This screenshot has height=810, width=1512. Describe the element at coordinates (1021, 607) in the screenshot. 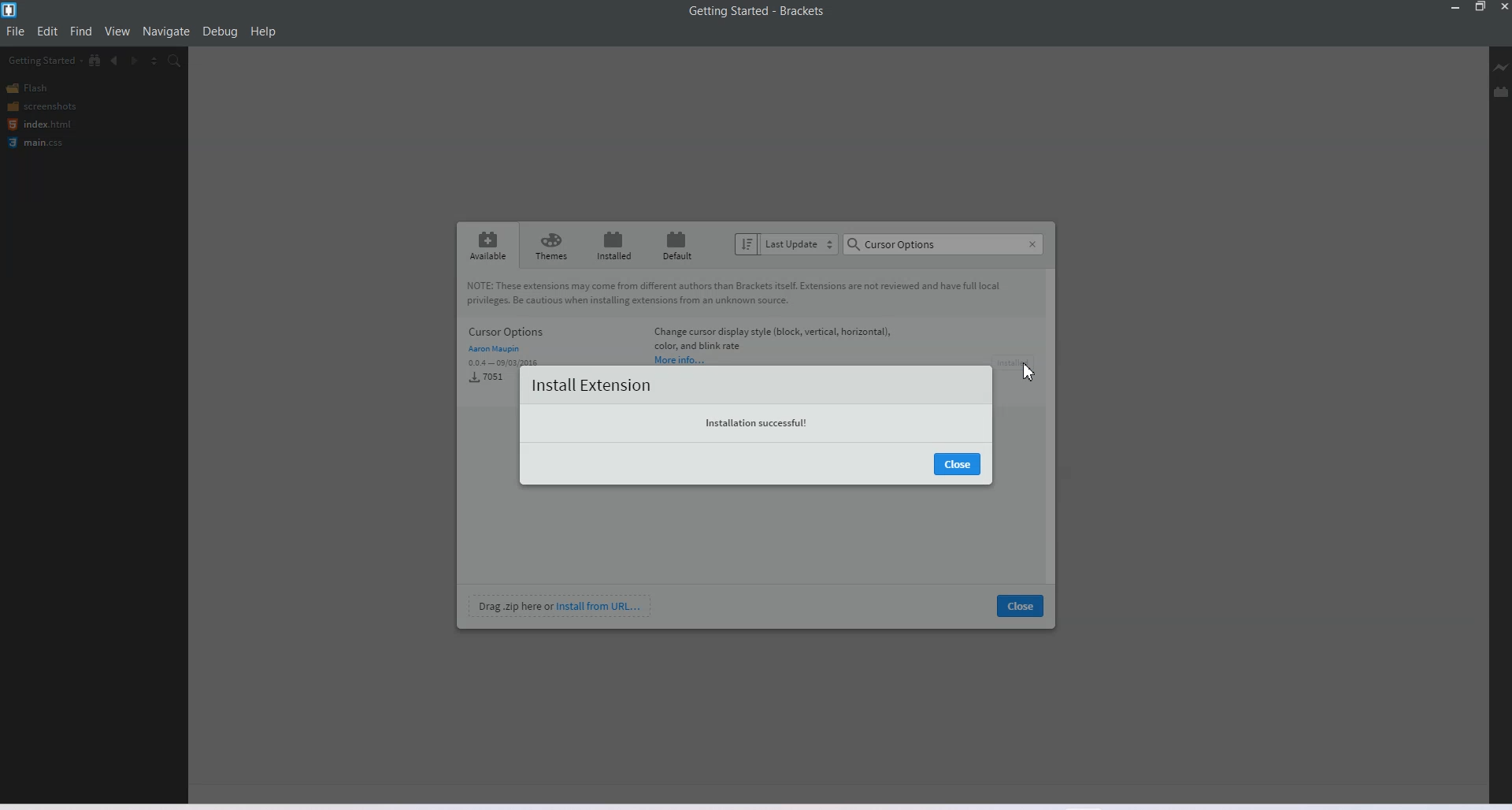

I see `close` at that location.